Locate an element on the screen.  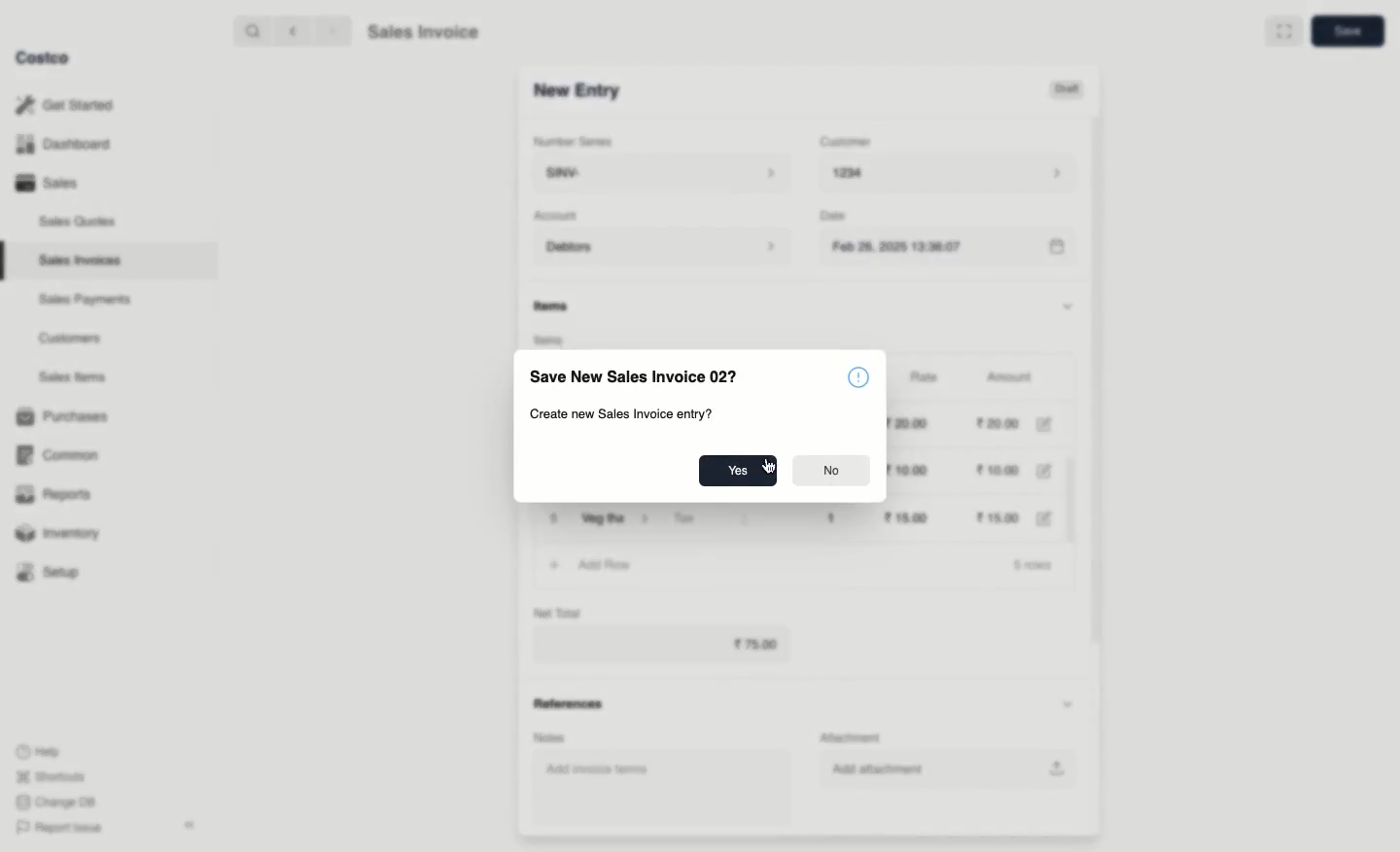
Icon is located at coordinates (861, 376).